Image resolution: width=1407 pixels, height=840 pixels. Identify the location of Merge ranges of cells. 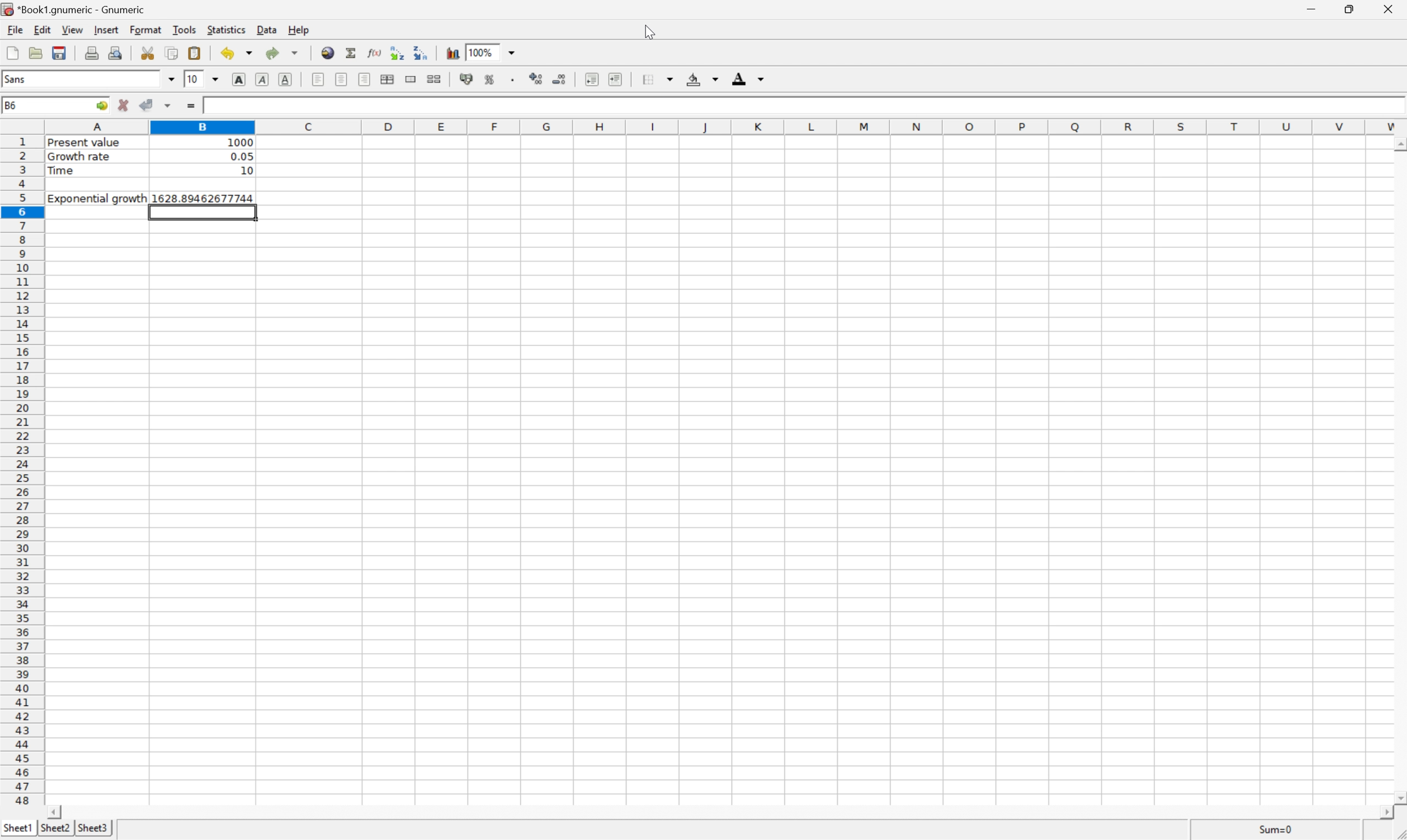
(412, 80).